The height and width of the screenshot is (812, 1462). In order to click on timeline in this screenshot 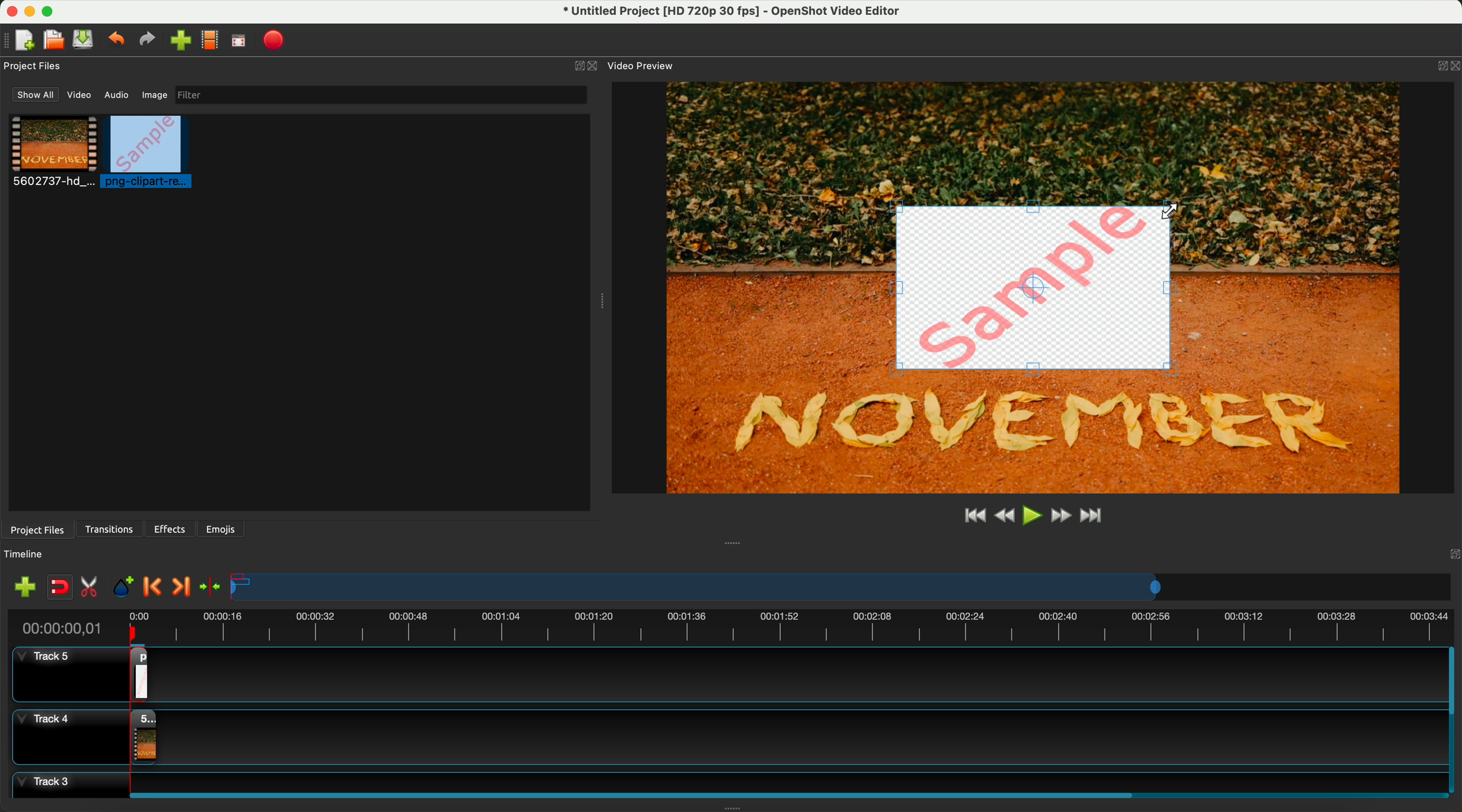, I will do `click(730, 626)`.